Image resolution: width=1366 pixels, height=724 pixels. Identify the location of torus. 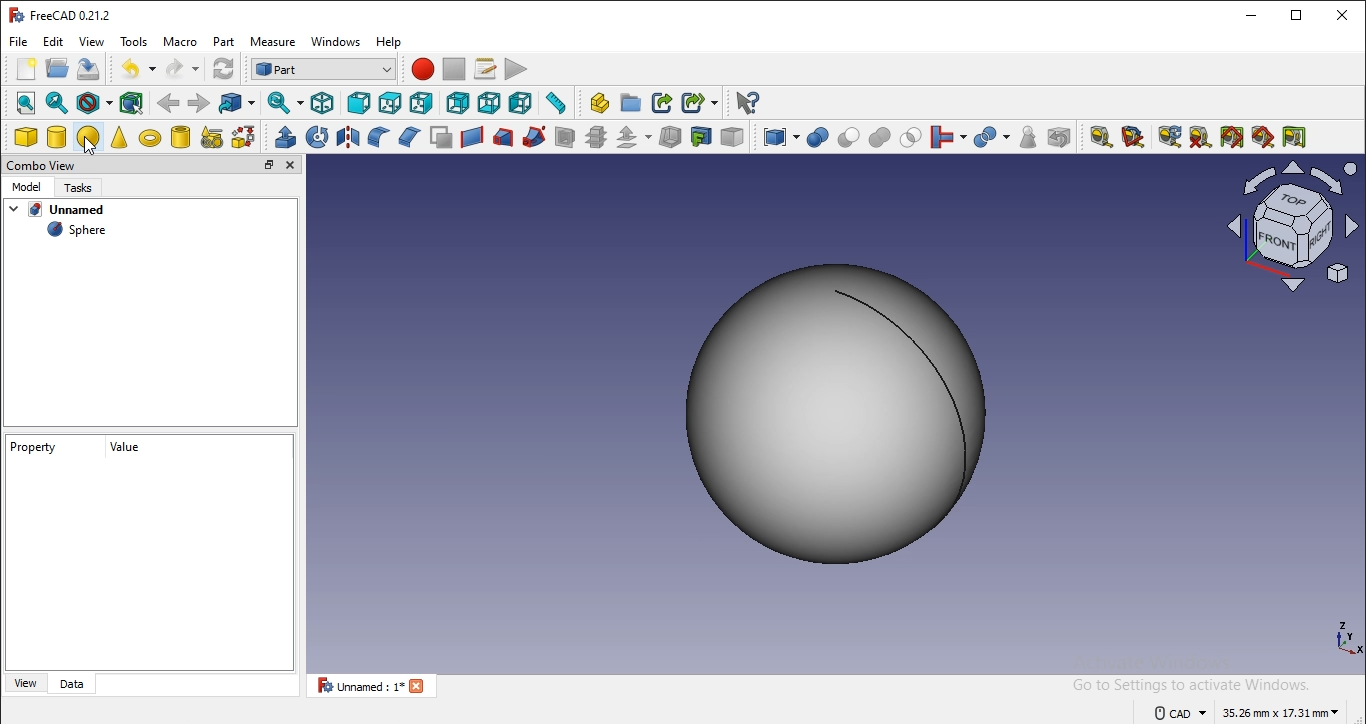
(147, 138).